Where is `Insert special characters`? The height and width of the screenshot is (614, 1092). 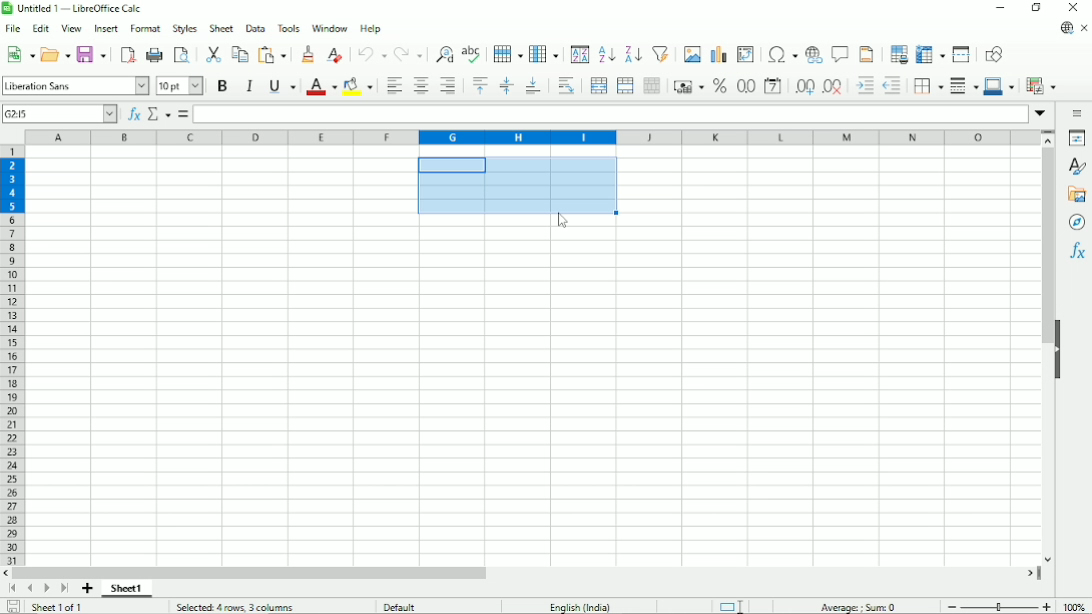
Insert special characters is located at coordinates (781, 54).